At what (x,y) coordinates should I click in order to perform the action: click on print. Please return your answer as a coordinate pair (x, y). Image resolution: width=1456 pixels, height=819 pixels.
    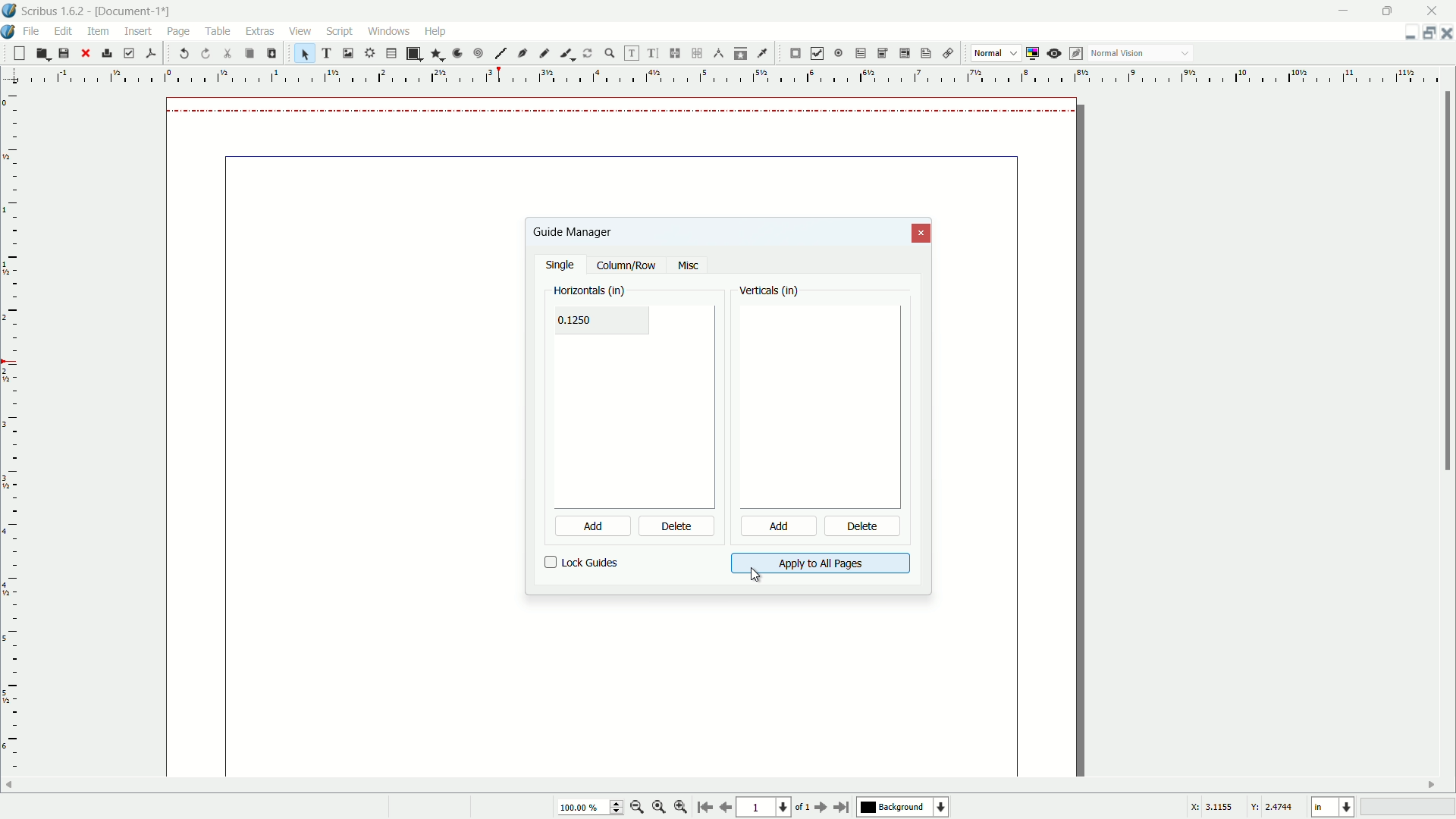
    Looking at the image, I should click on (107, 53).